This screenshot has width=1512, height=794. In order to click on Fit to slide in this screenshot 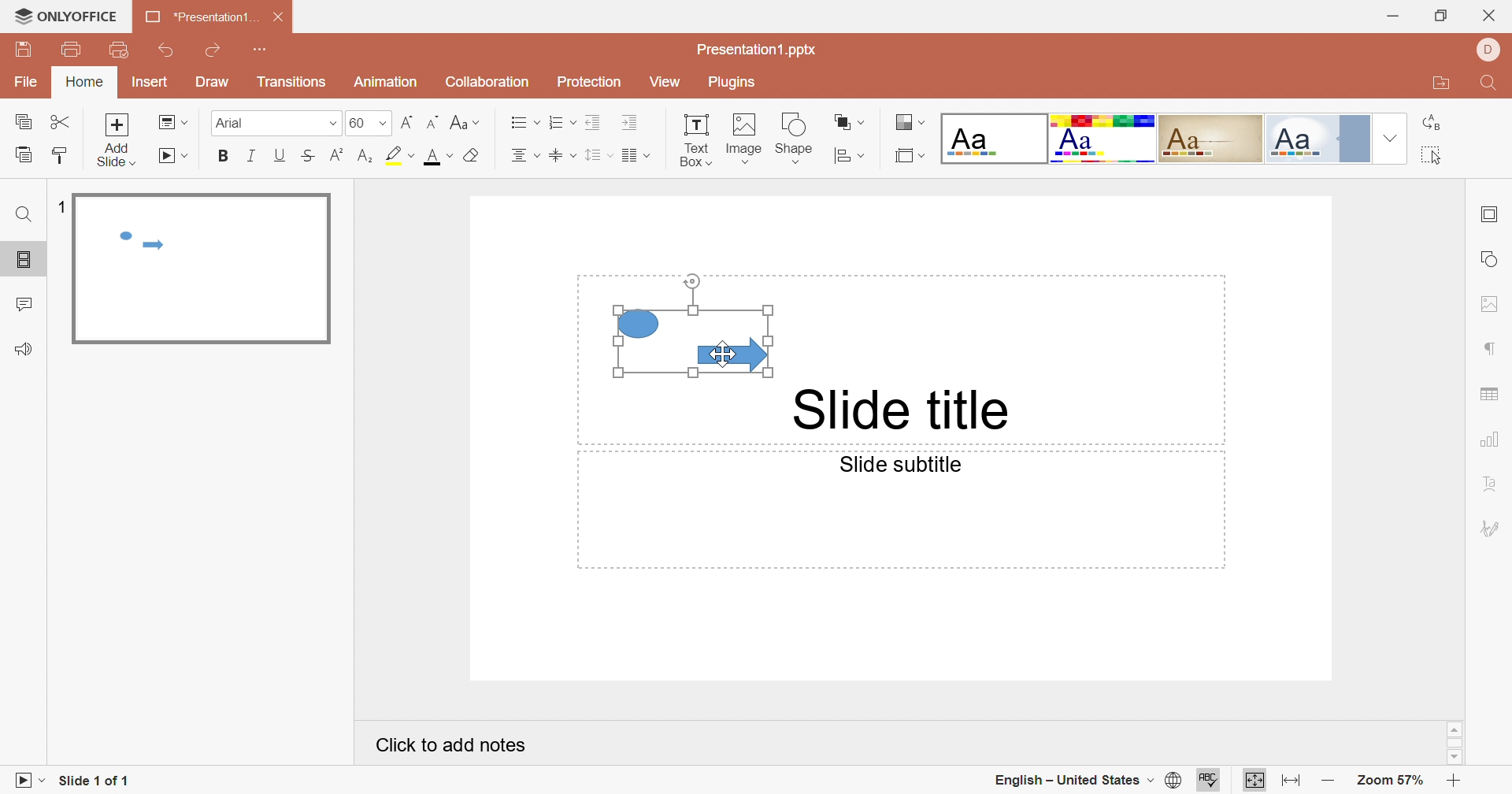, I will do `click(1258, 781)`.